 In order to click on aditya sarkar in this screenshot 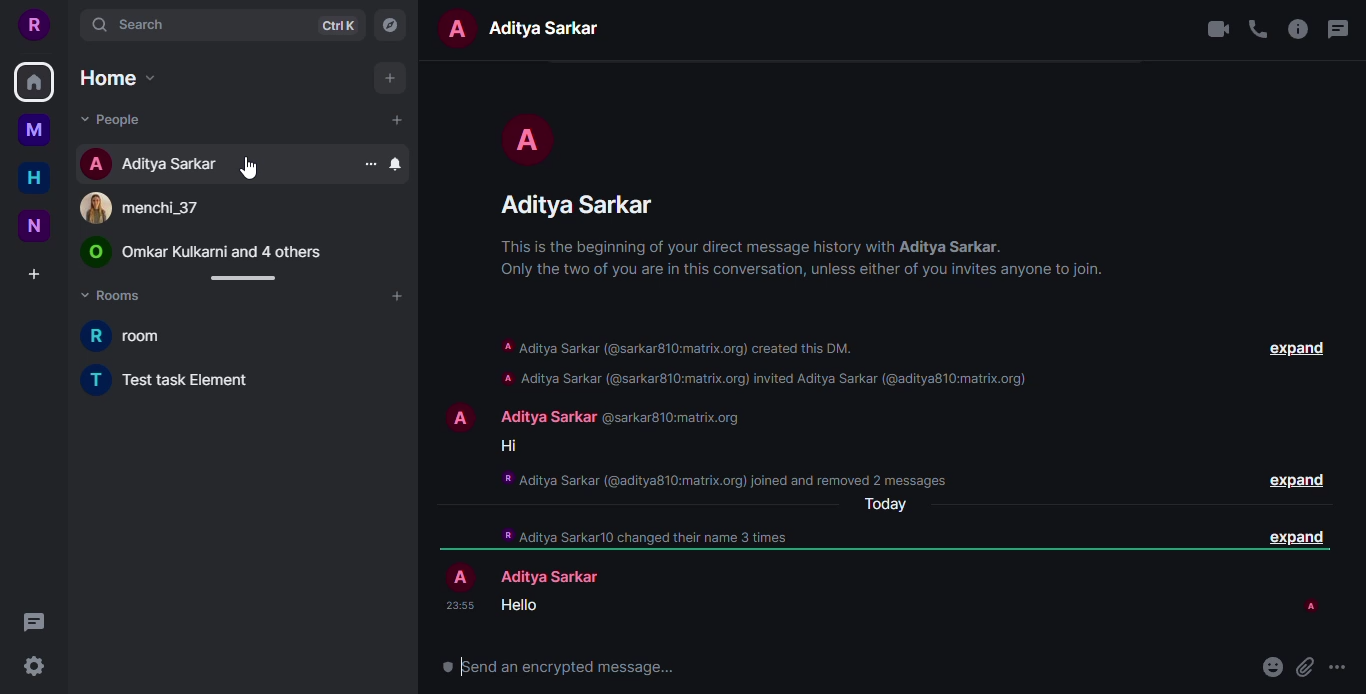, I will do `click(558, 576)`.